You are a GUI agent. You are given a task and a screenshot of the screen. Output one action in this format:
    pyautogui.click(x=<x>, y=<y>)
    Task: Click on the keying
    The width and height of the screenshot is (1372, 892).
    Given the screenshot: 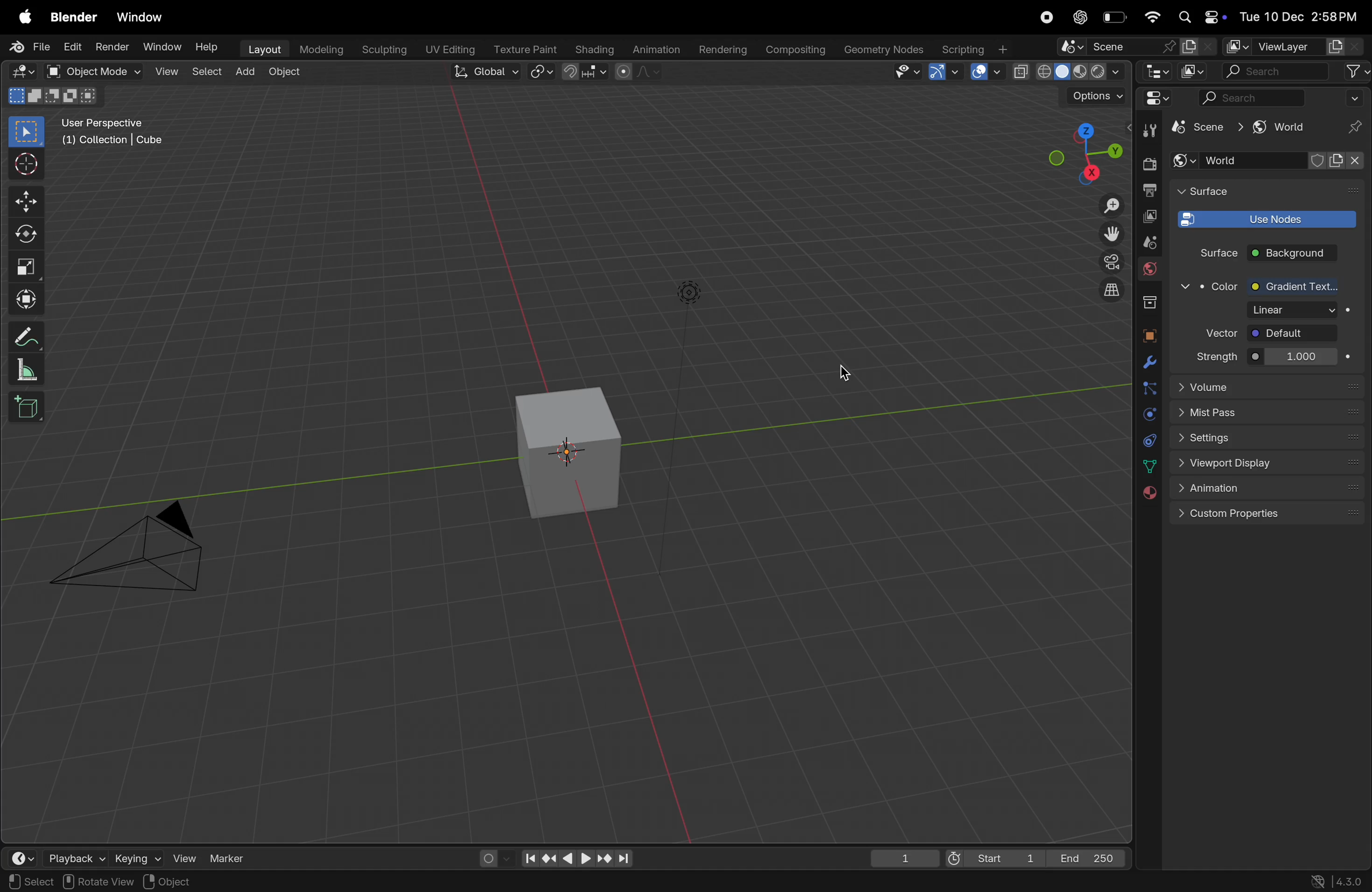 What is the action you would take?
    pyautogui.click(x=136, y=856)
    